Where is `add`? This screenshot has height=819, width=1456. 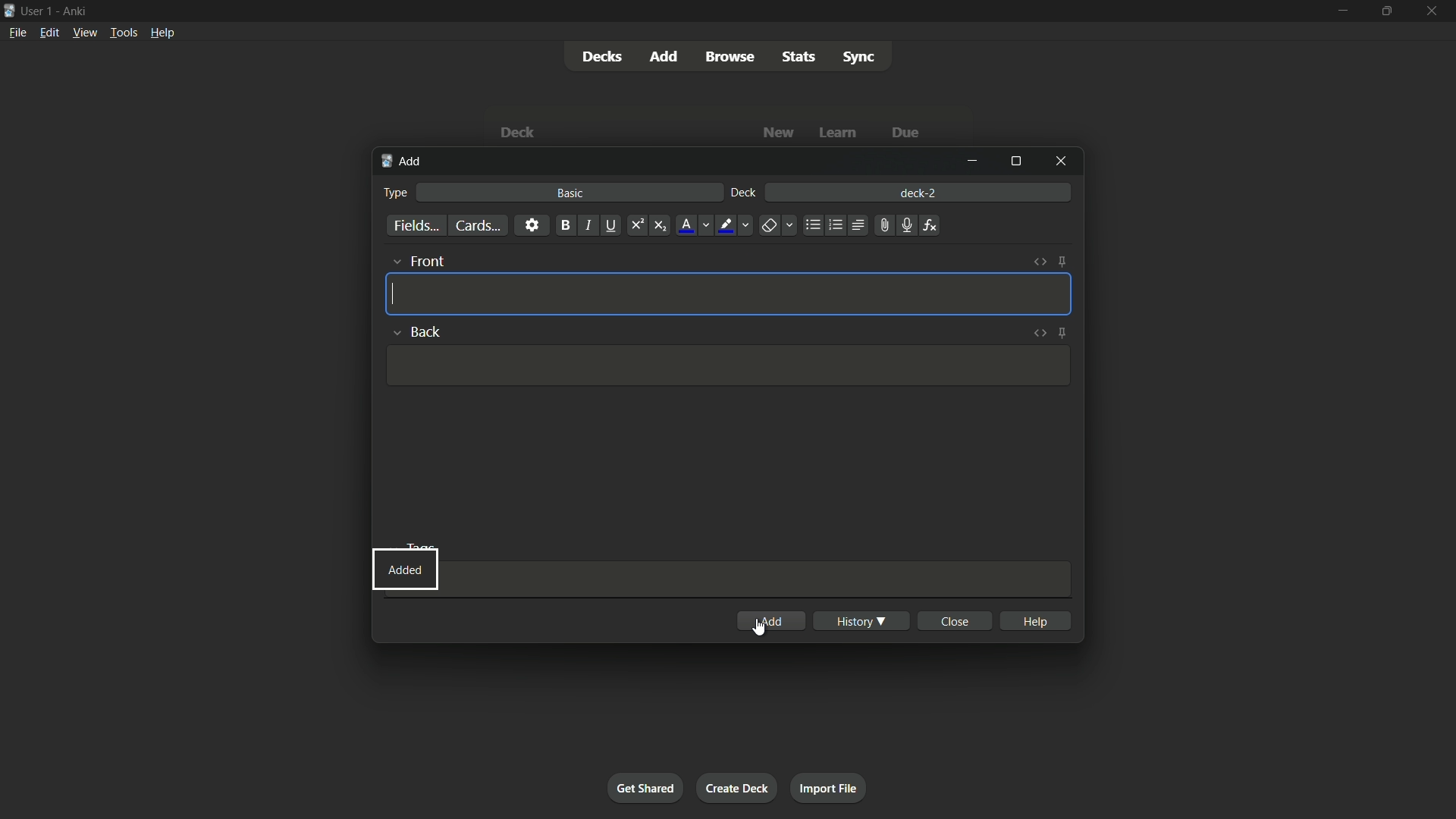
add is located at coordinates (775, 621).